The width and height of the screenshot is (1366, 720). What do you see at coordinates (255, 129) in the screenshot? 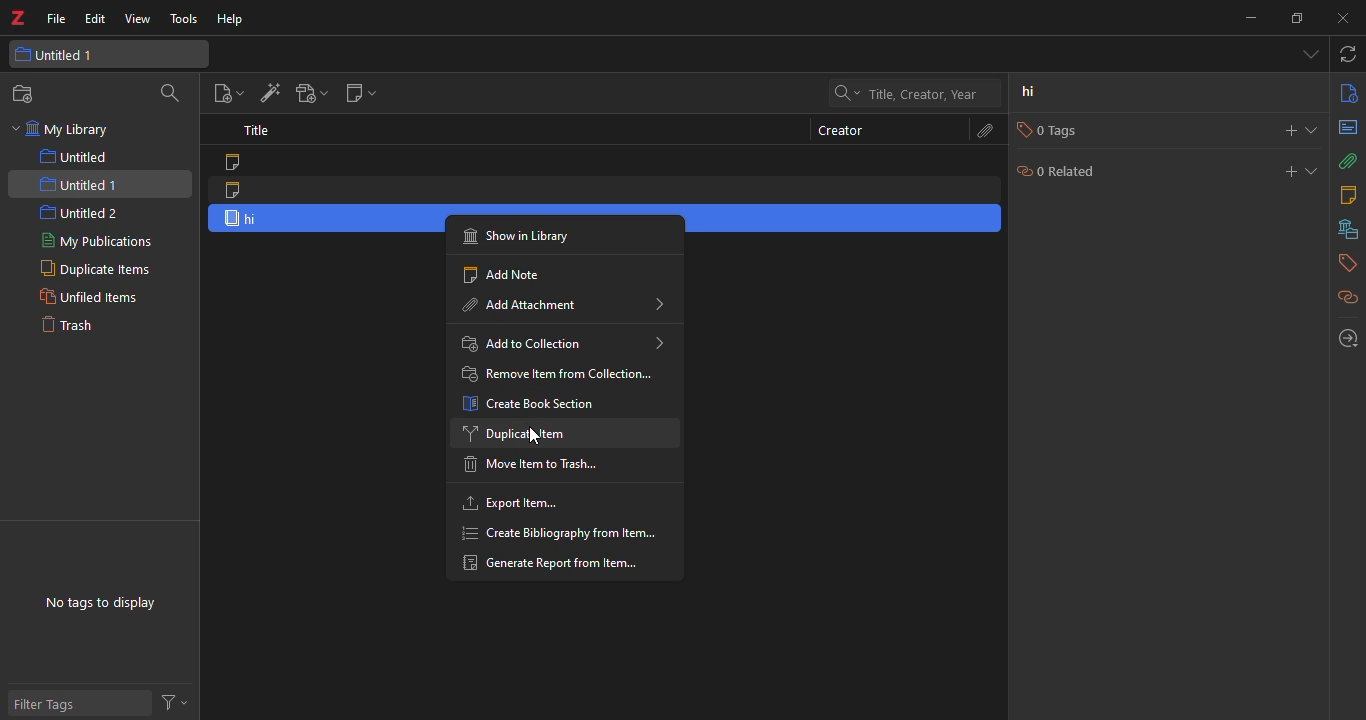
I see `title` at bounding box center [255, 129].